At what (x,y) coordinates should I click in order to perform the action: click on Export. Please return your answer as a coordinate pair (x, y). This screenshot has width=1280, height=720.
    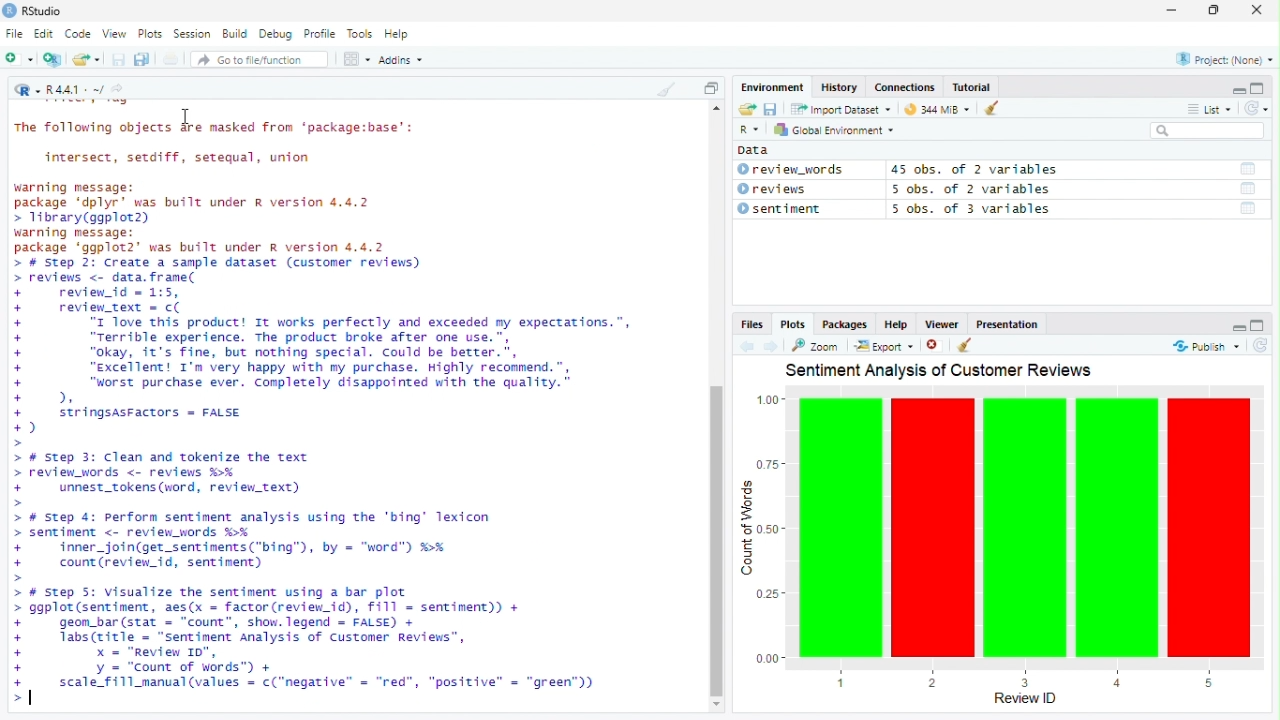
    Looking at the image, I should click on (884, 345).